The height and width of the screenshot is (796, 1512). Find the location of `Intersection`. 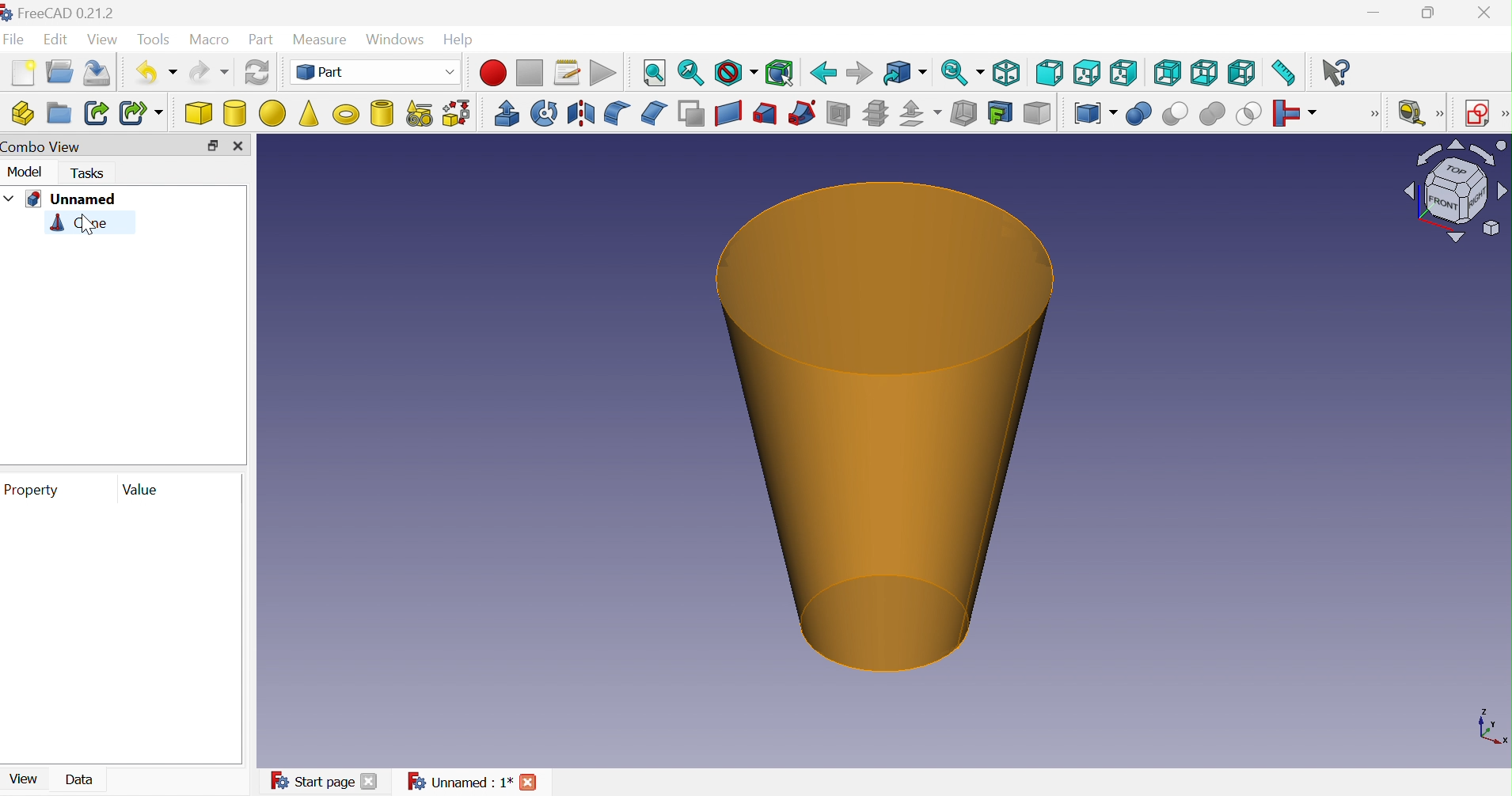

Intersection is located at coordinates (1249, 116).